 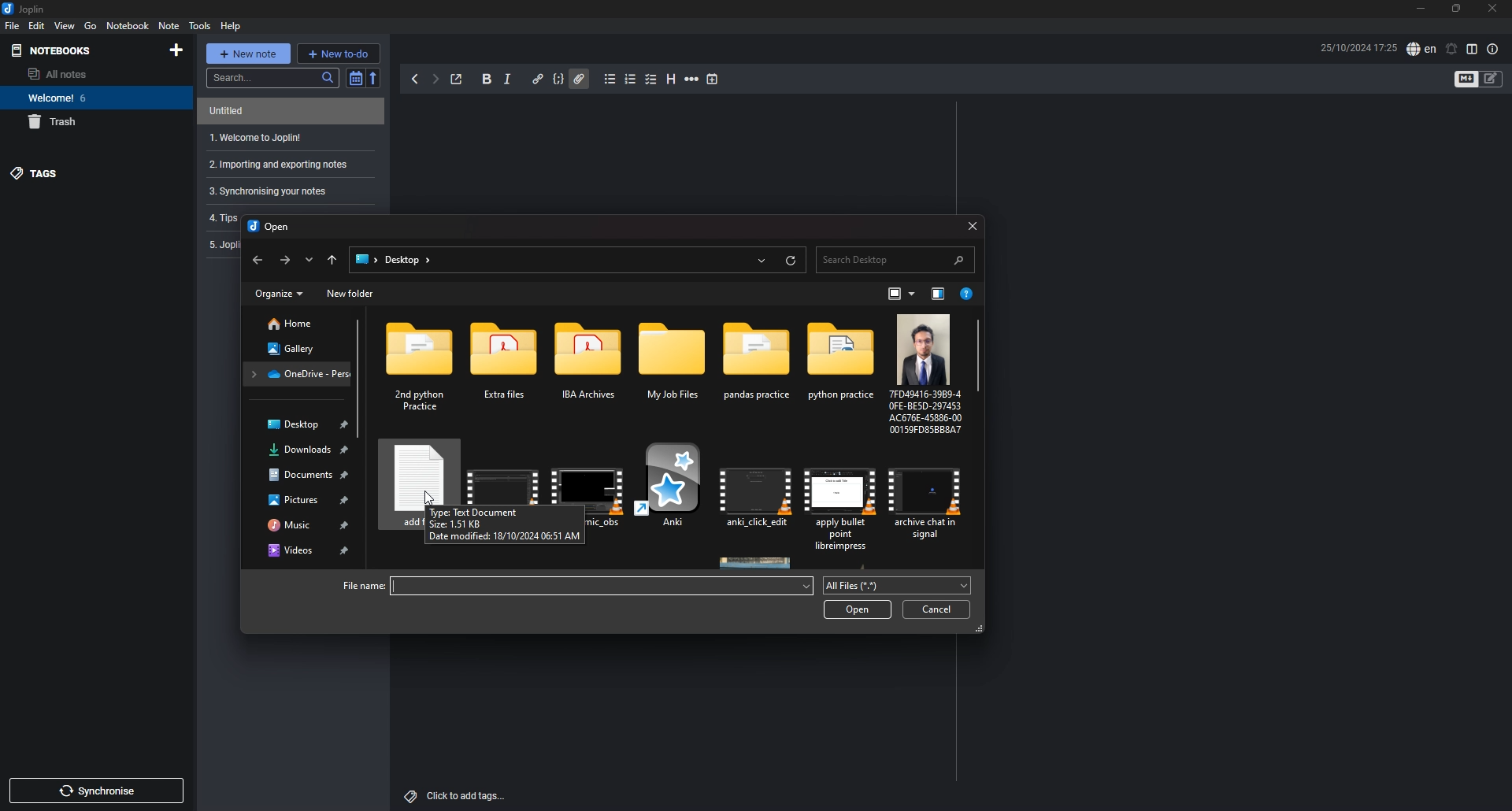 What do you see at coordinates (761, 259) in the screenshot?
I see `recent` at bounding box center [761, 259].